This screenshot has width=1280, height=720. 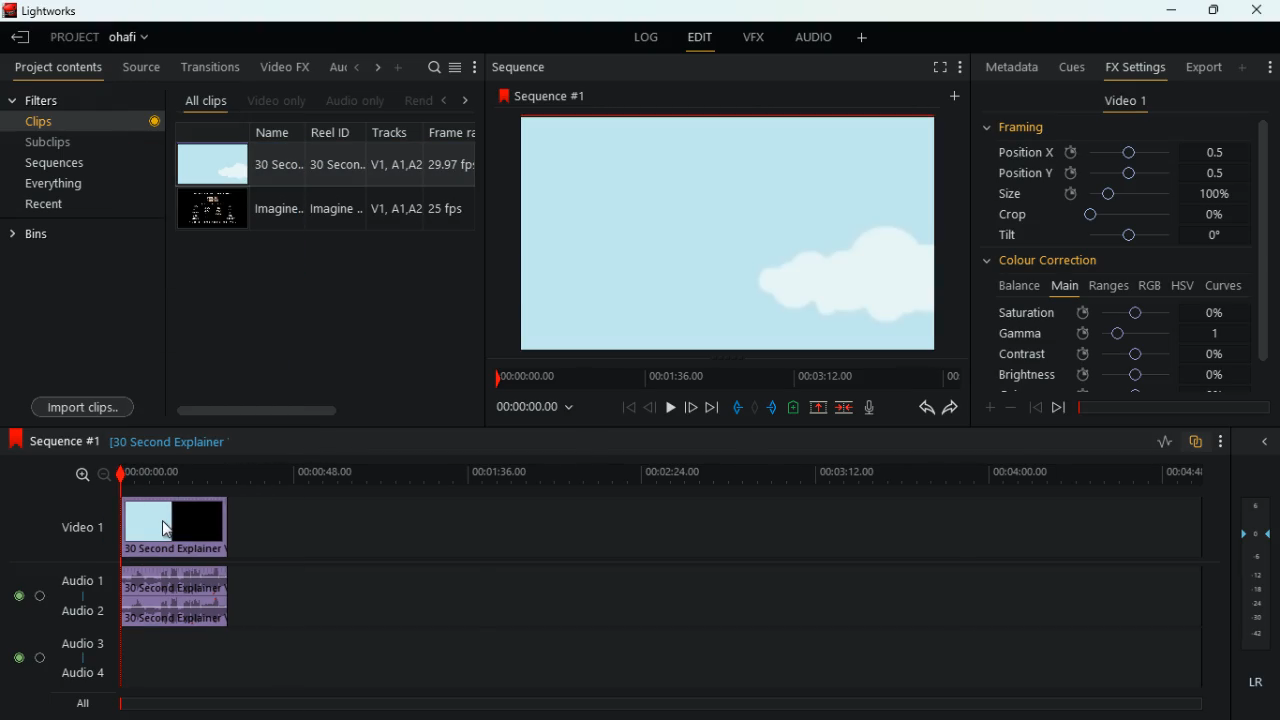 What do you see at coordinates (1110, 374) in the screenshot?
I see `brightness` at bounding box center [1110, 374].